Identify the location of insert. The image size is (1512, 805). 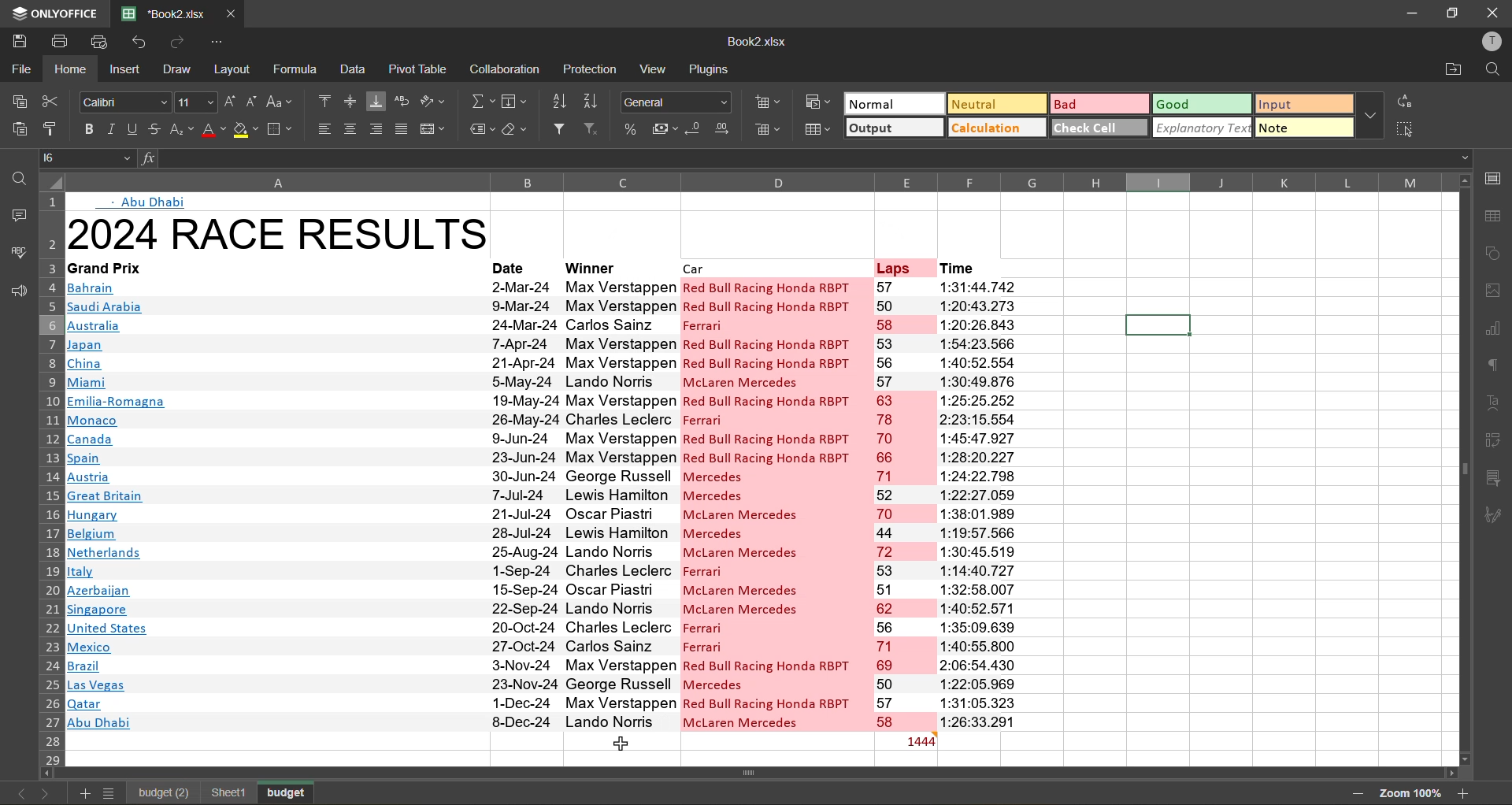
(124, 71).